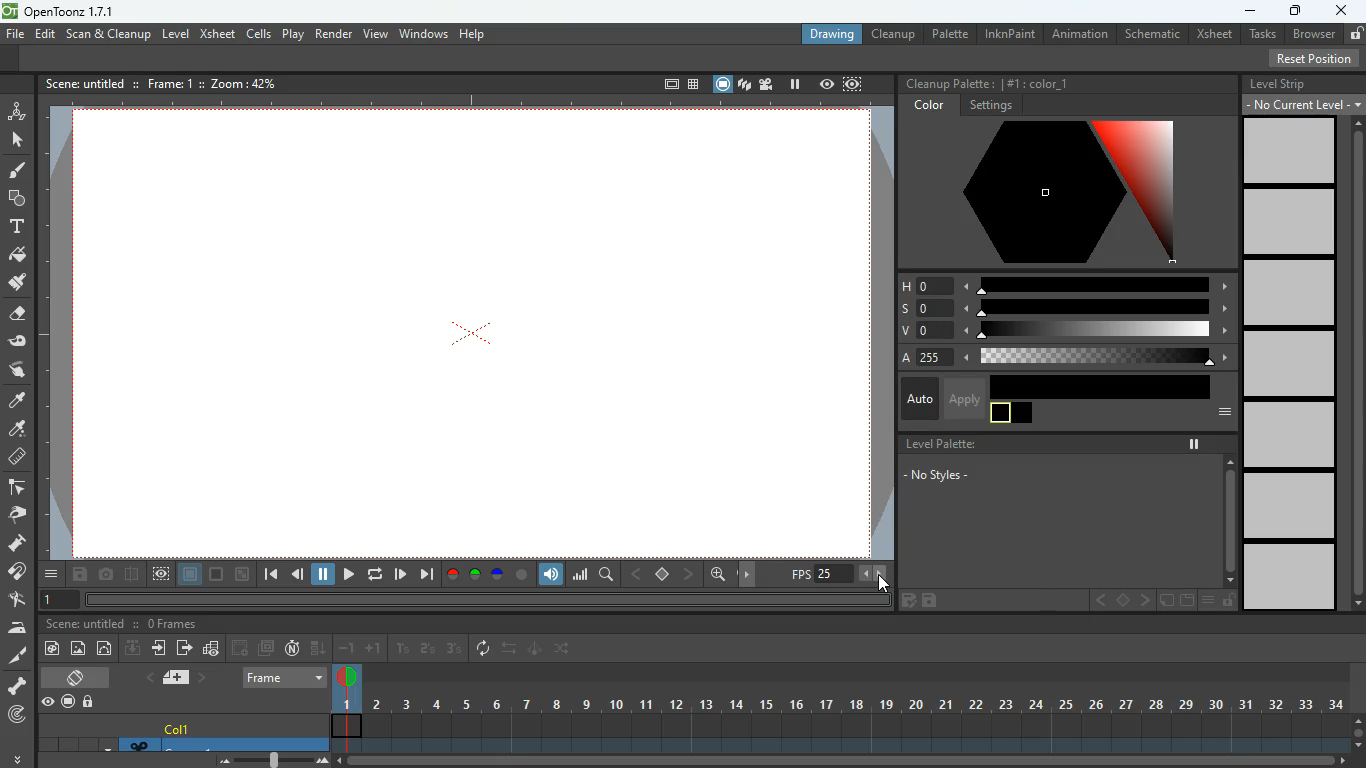  What do you see at coordinates (52, 576) in the screenshot?
I see `menu` at bounding box center [52, 576].